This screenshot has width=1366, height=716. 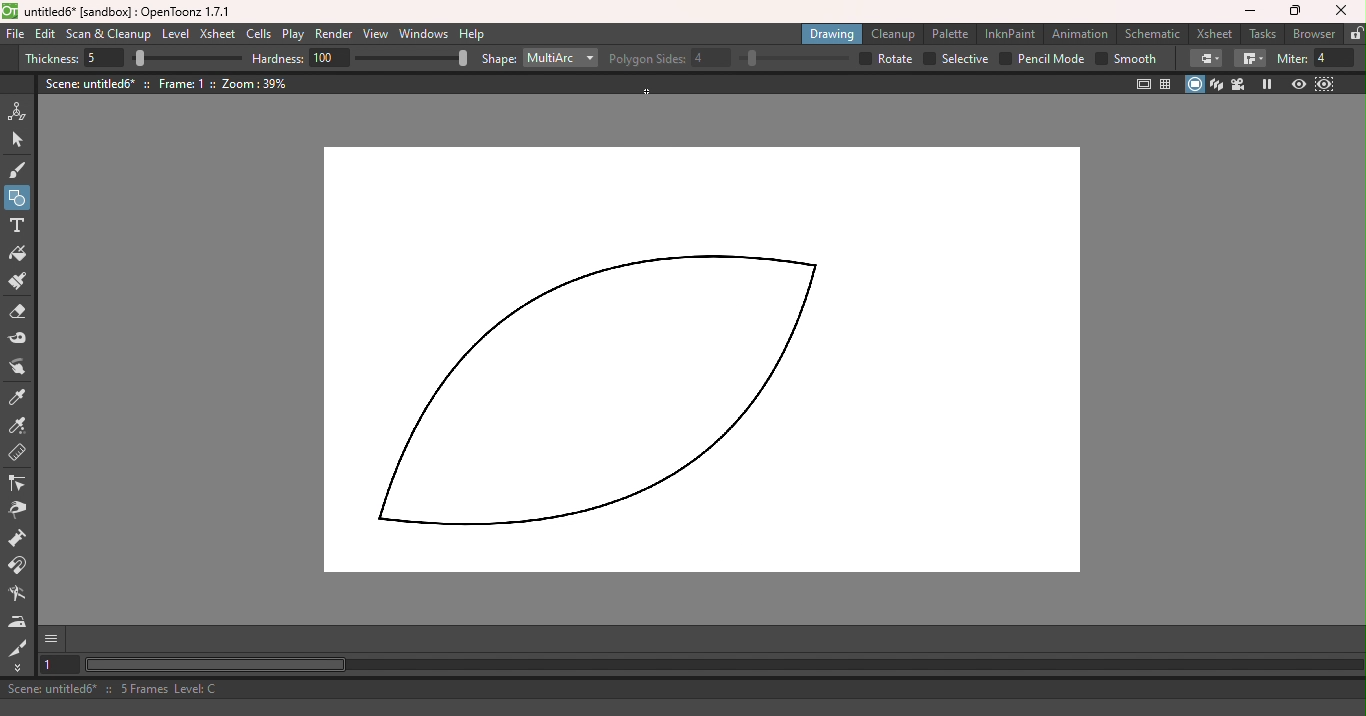 What do you see at coordinates (15, 646) in the screenshot?
I see `Cutter tool` at bounding box center [15, 646].